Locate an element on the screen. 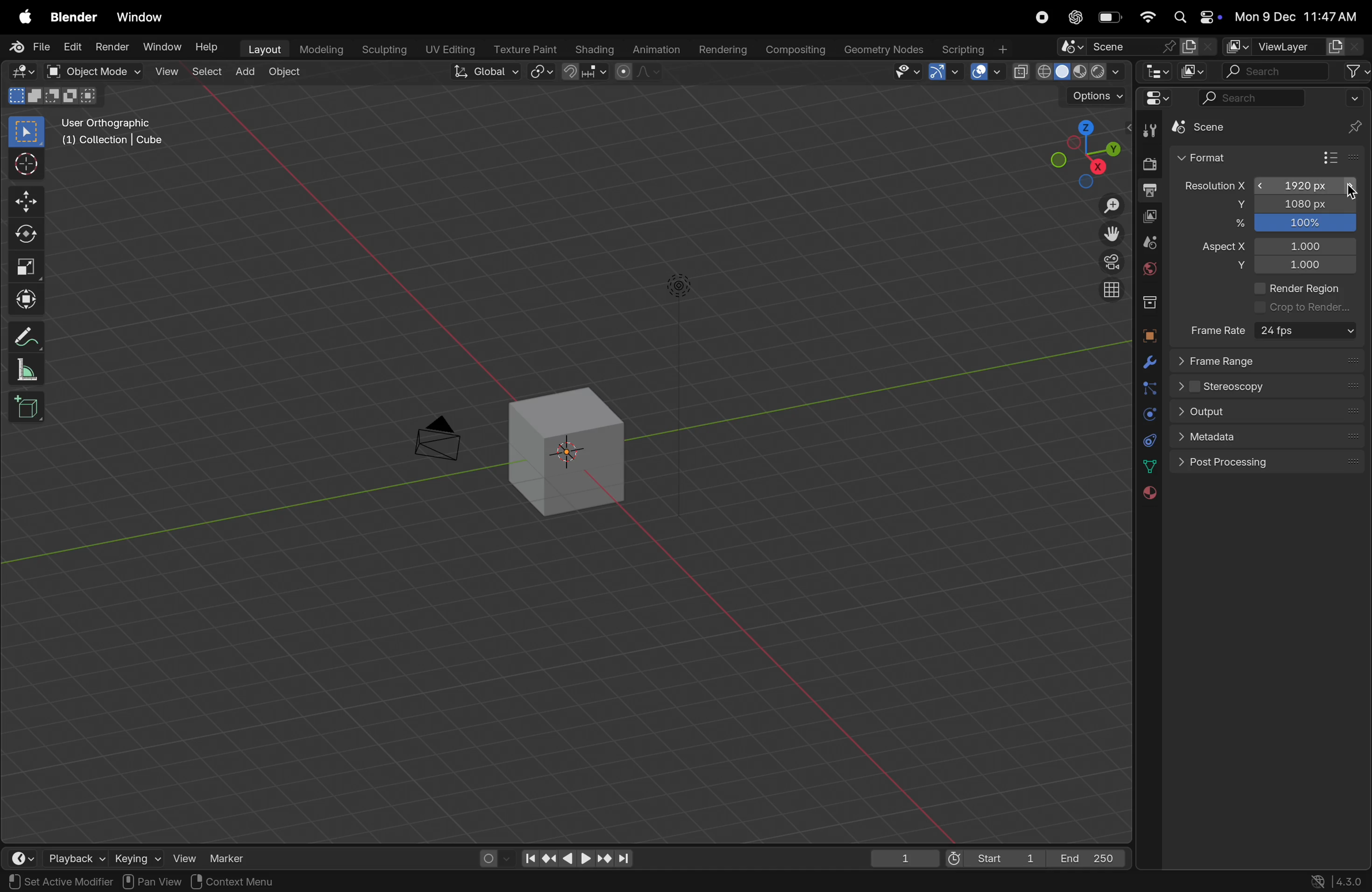  !920 presets is located at coordinates (1304, 186).